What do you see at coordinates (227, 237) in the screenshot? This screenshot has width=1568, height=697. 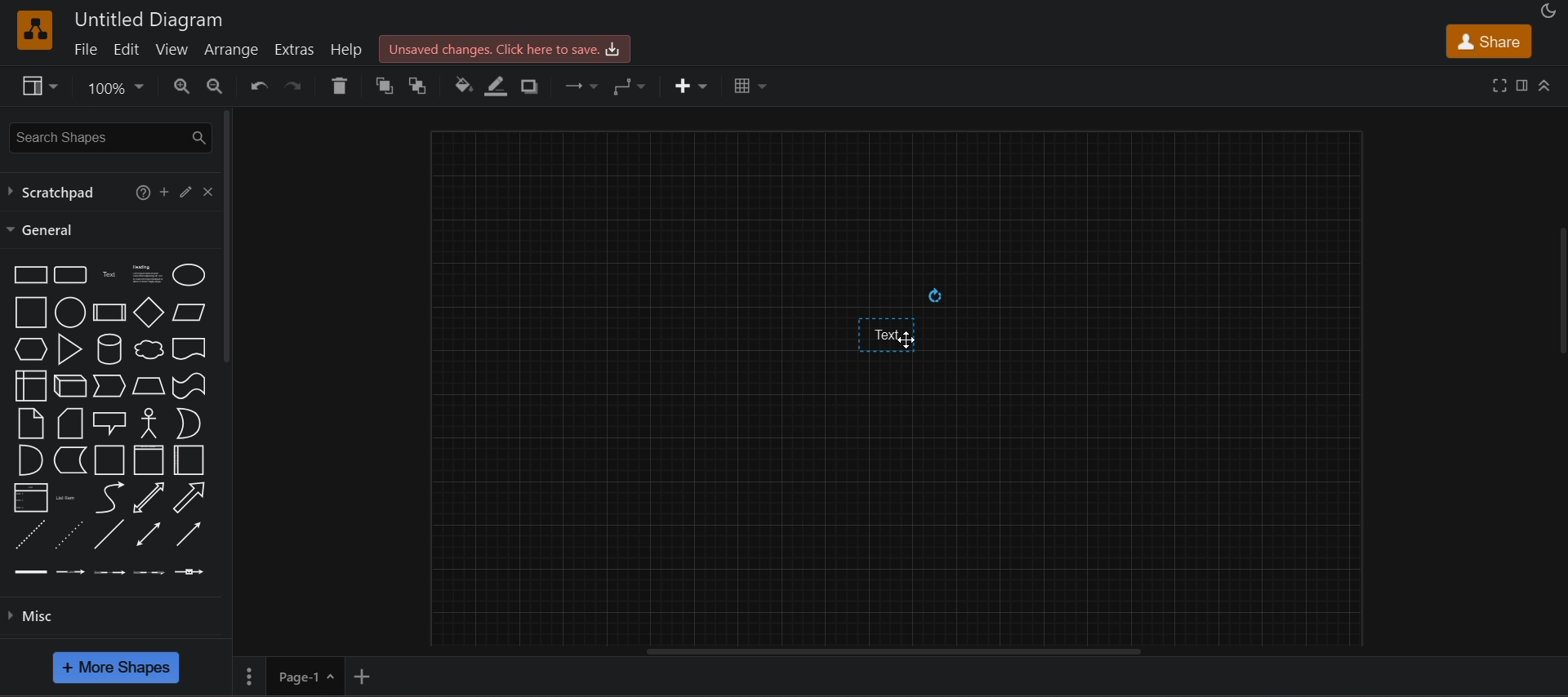 I see `vertical scroll bar` at bounding box center [227, 237].